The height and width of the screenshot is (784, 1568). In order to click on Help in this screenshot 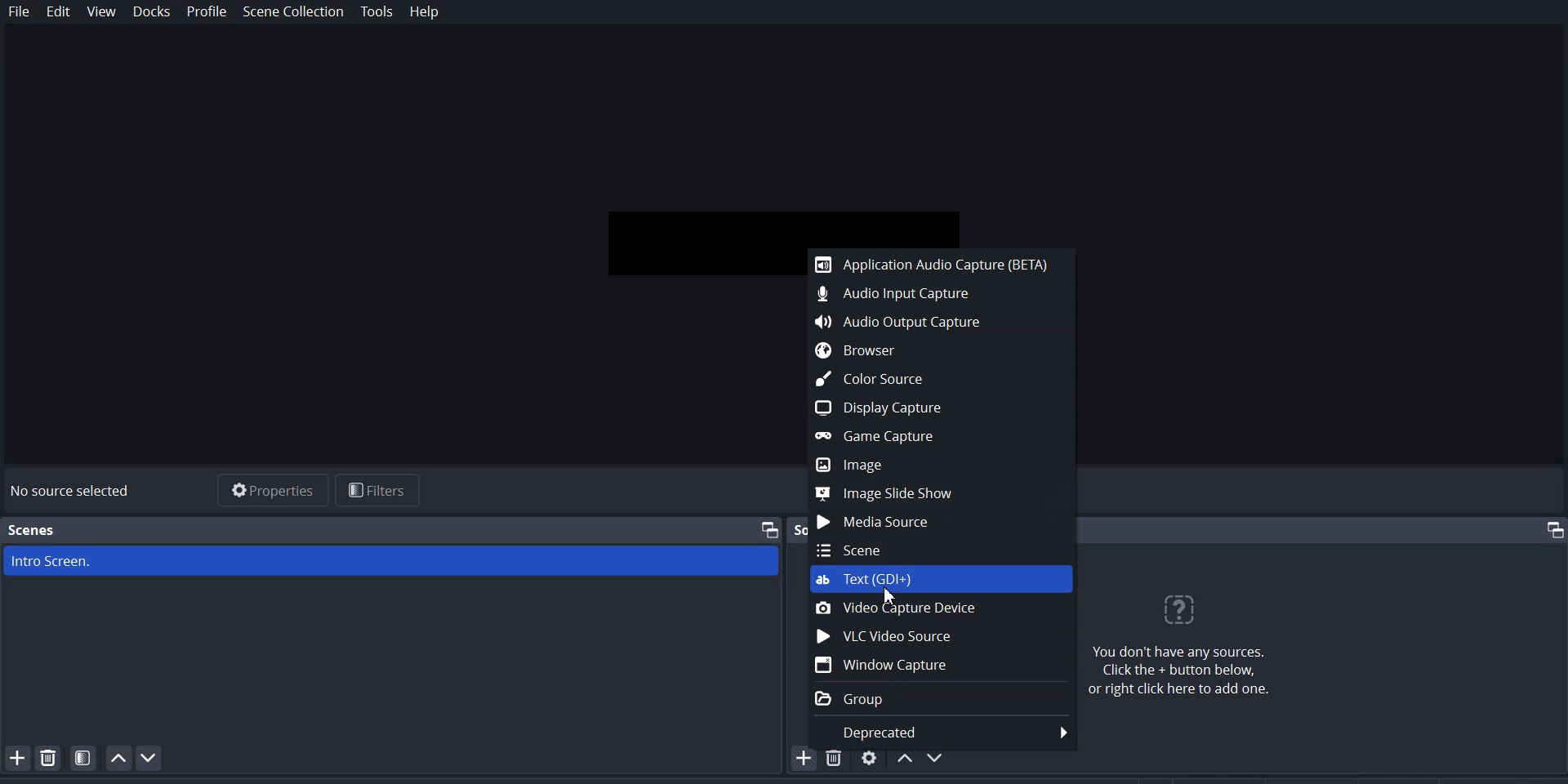, I will do `click(424, 13)`.